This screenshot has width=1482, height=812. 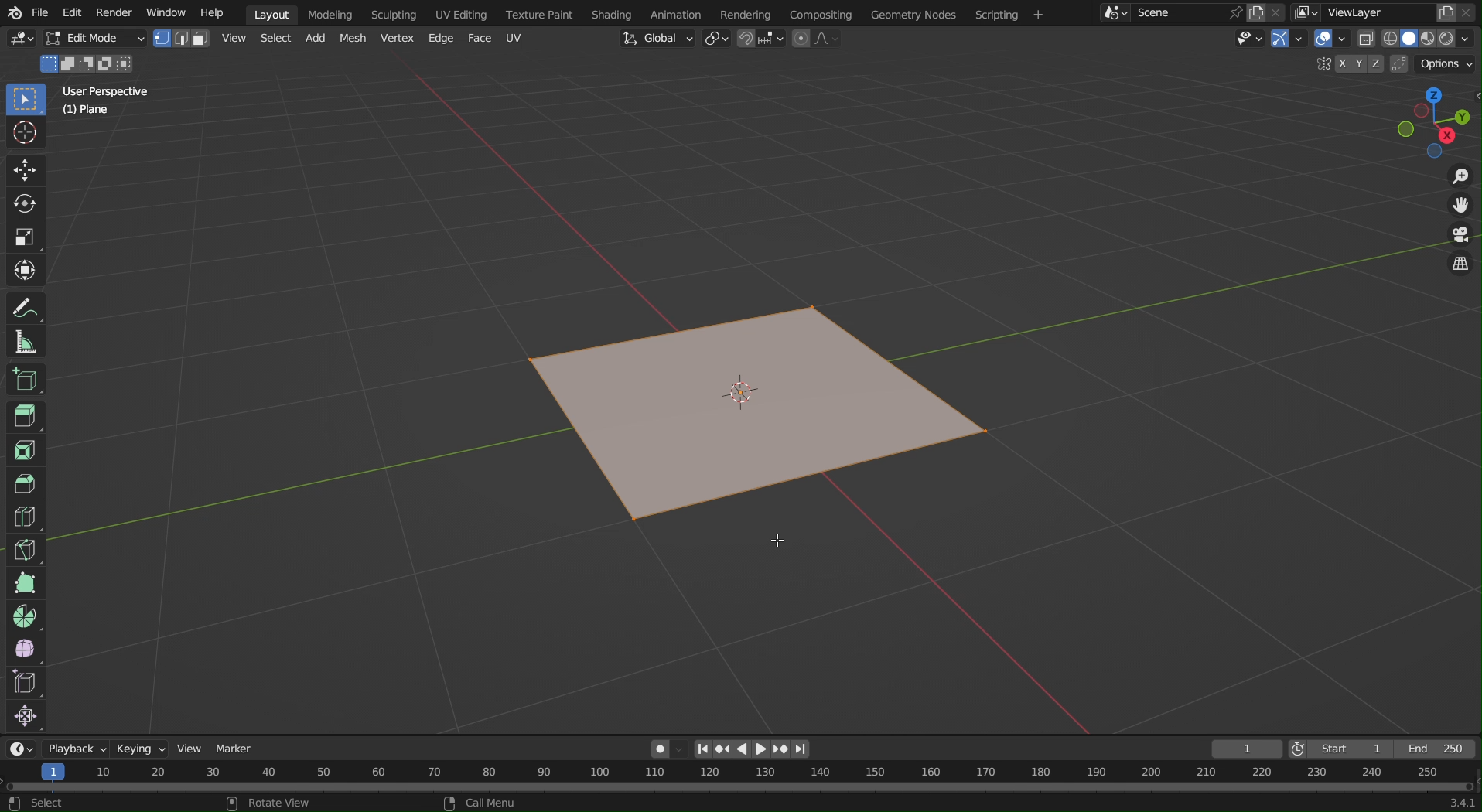 I want to click on User Perspective, so click(x=108, y=90).